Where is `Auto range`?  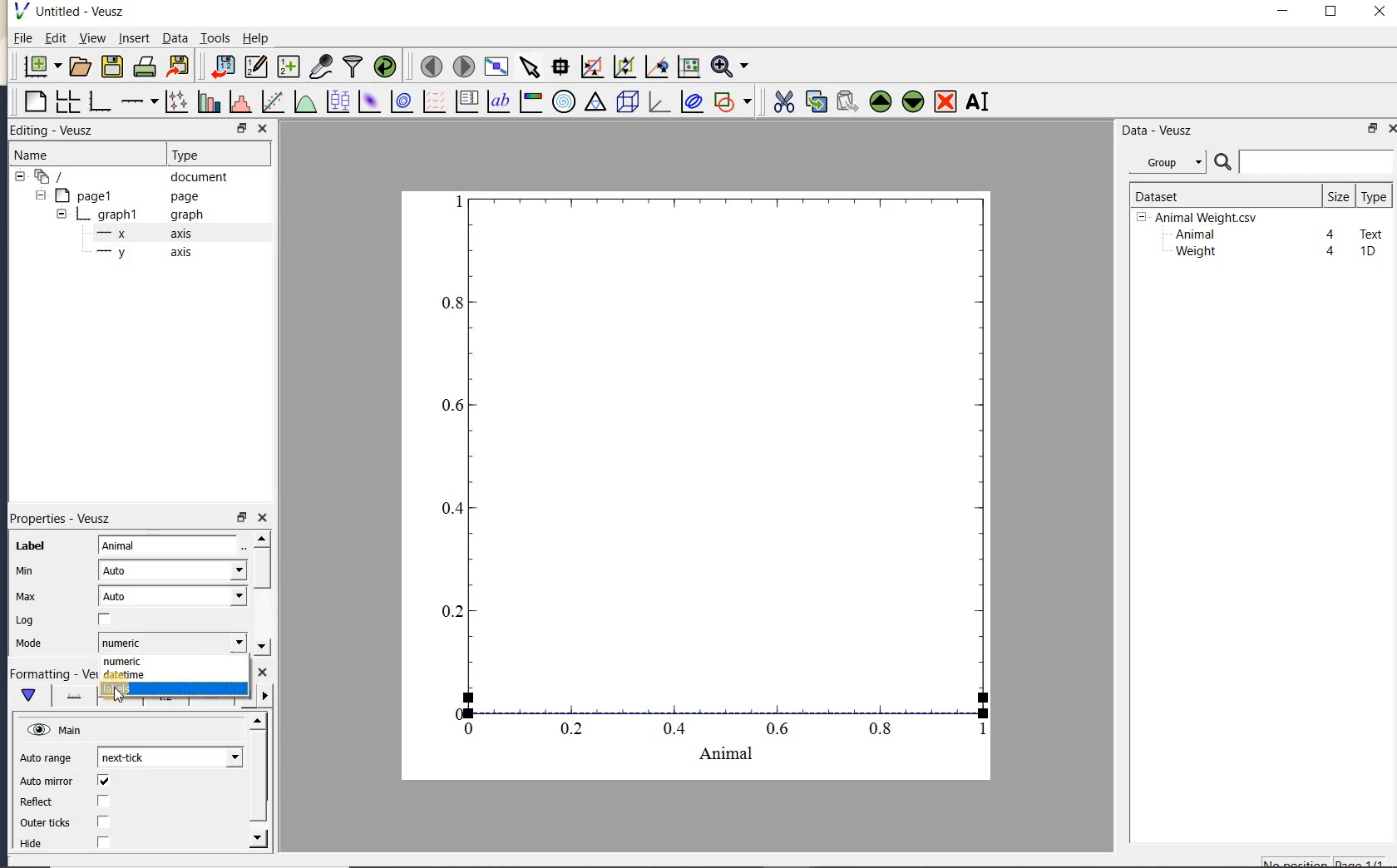
Auto range is located at coordinates (46, 758).